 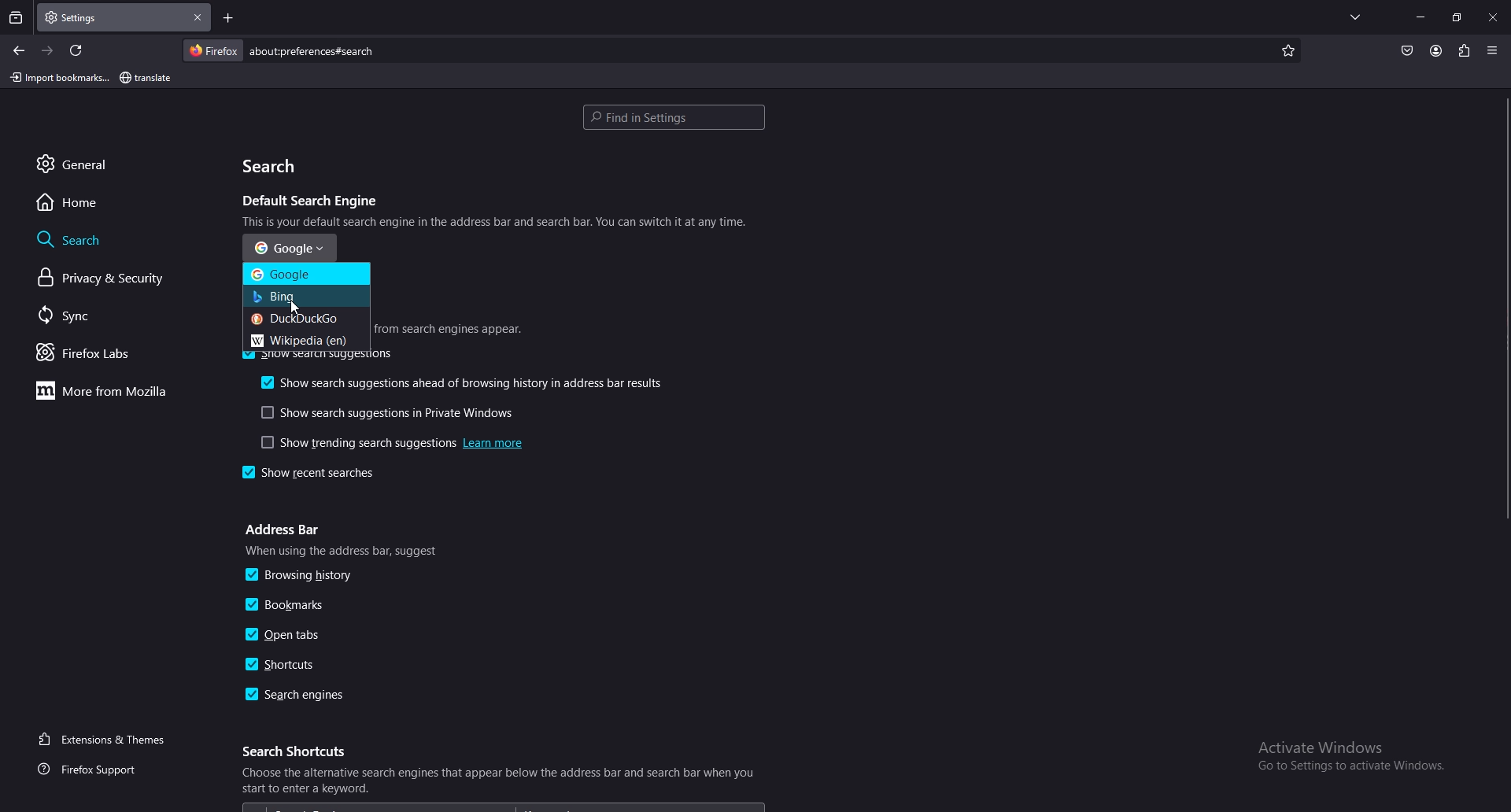 I want to click on firefox labs, so click(x=109, y=352).